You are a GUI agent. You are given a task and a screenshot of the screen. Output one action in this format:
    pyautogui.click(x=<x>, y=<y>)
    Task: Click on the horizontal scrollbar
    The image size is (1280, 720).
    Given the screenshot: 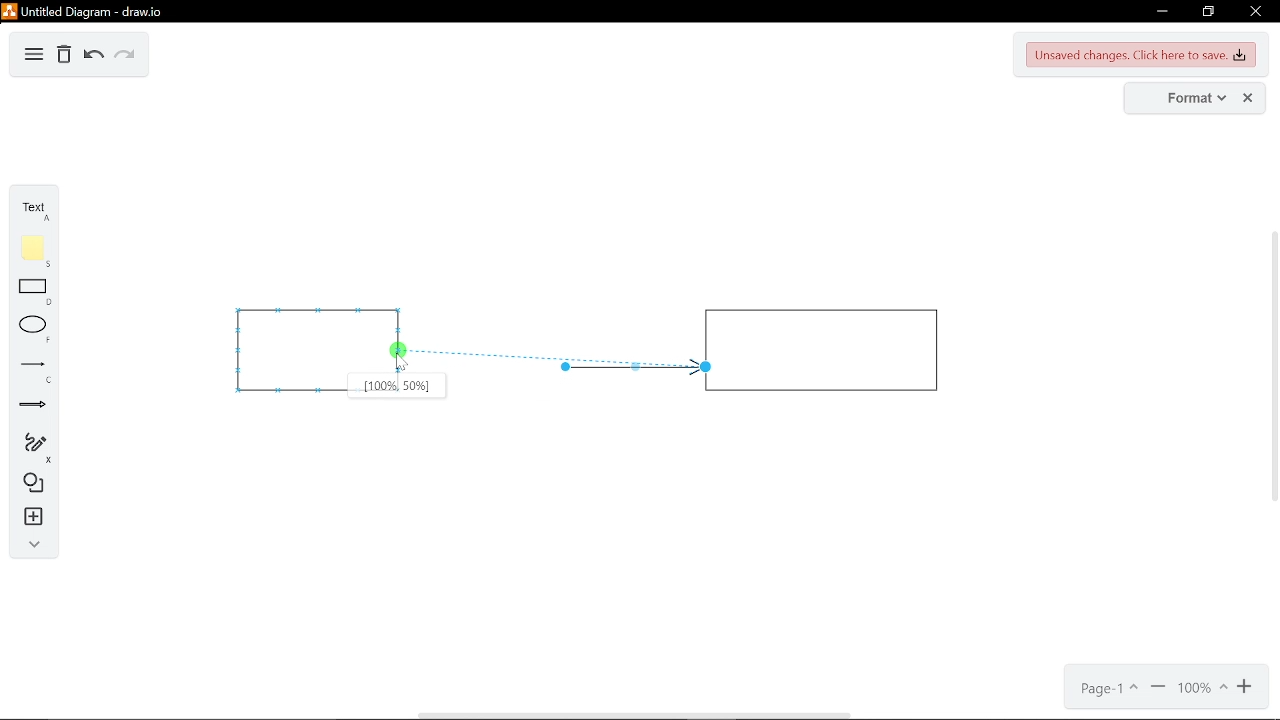 What is the action you would take?
    pyautogui.click(x=638, y=715)
    